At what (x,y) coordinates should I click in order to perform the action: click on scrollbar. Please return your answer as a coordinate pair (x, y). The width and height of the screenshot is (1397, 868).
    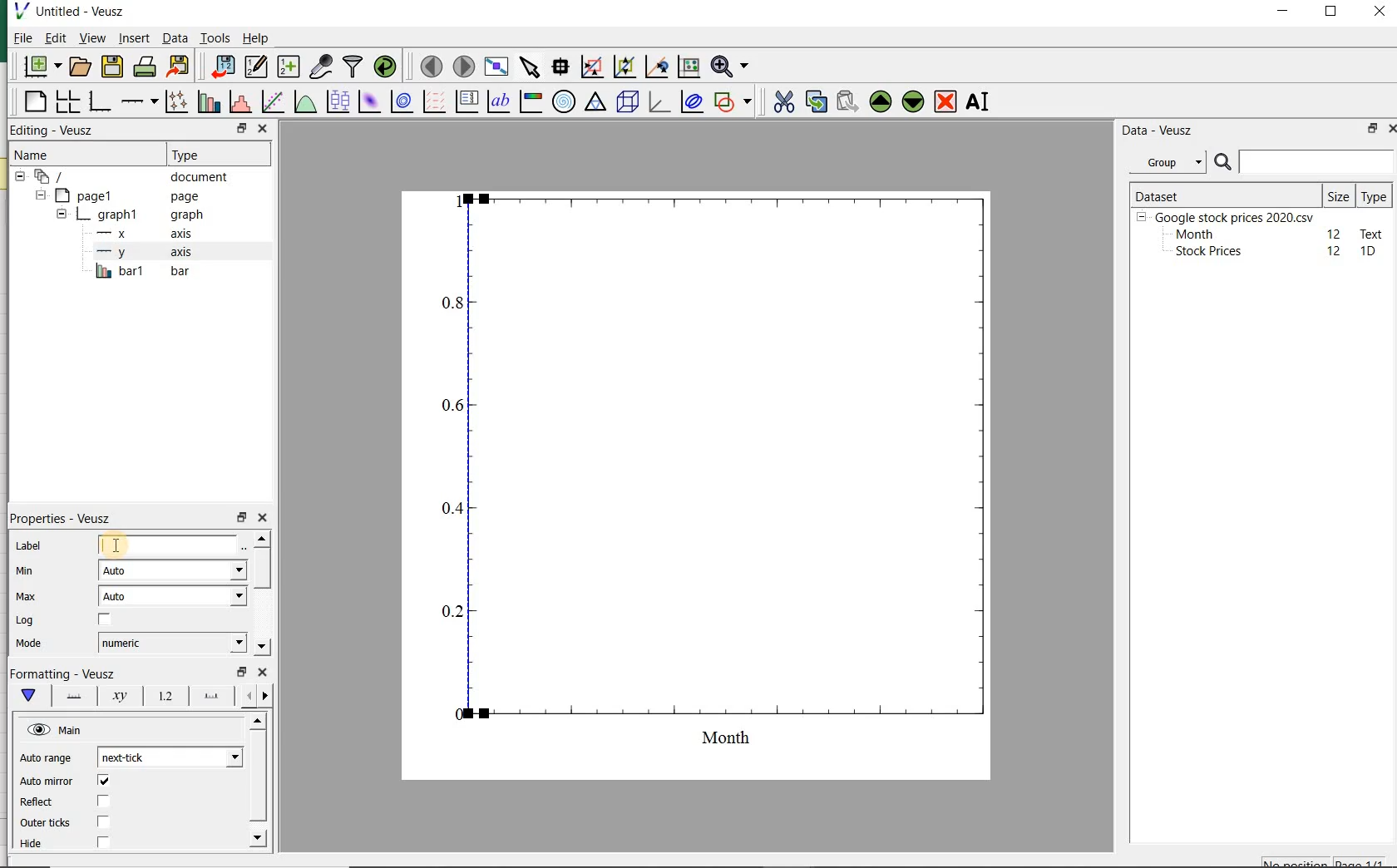
    Looking at the image, I should click on (261, 594).